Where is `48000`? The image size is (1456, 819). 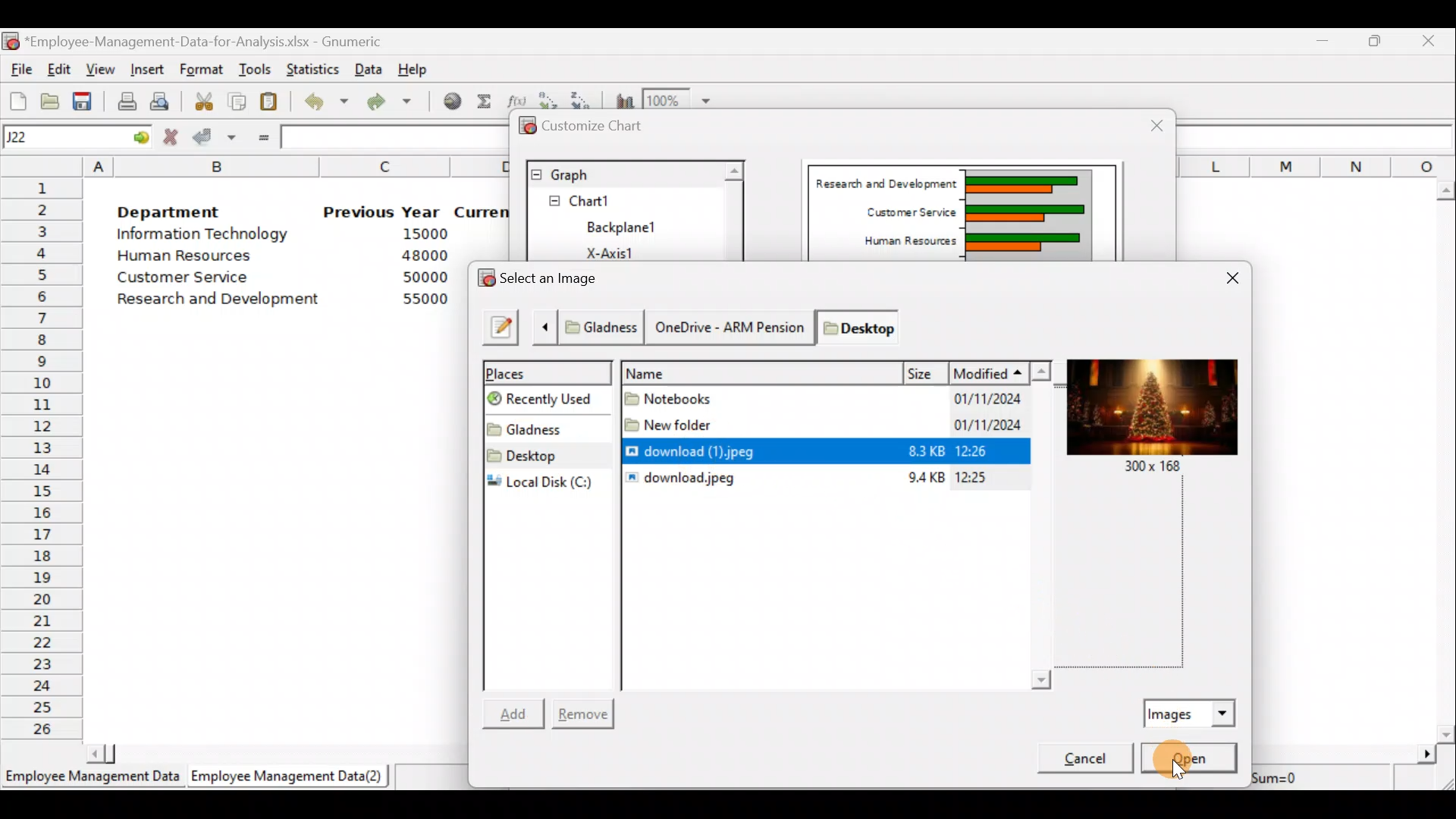
48000 is located at coordinates (424, 257).